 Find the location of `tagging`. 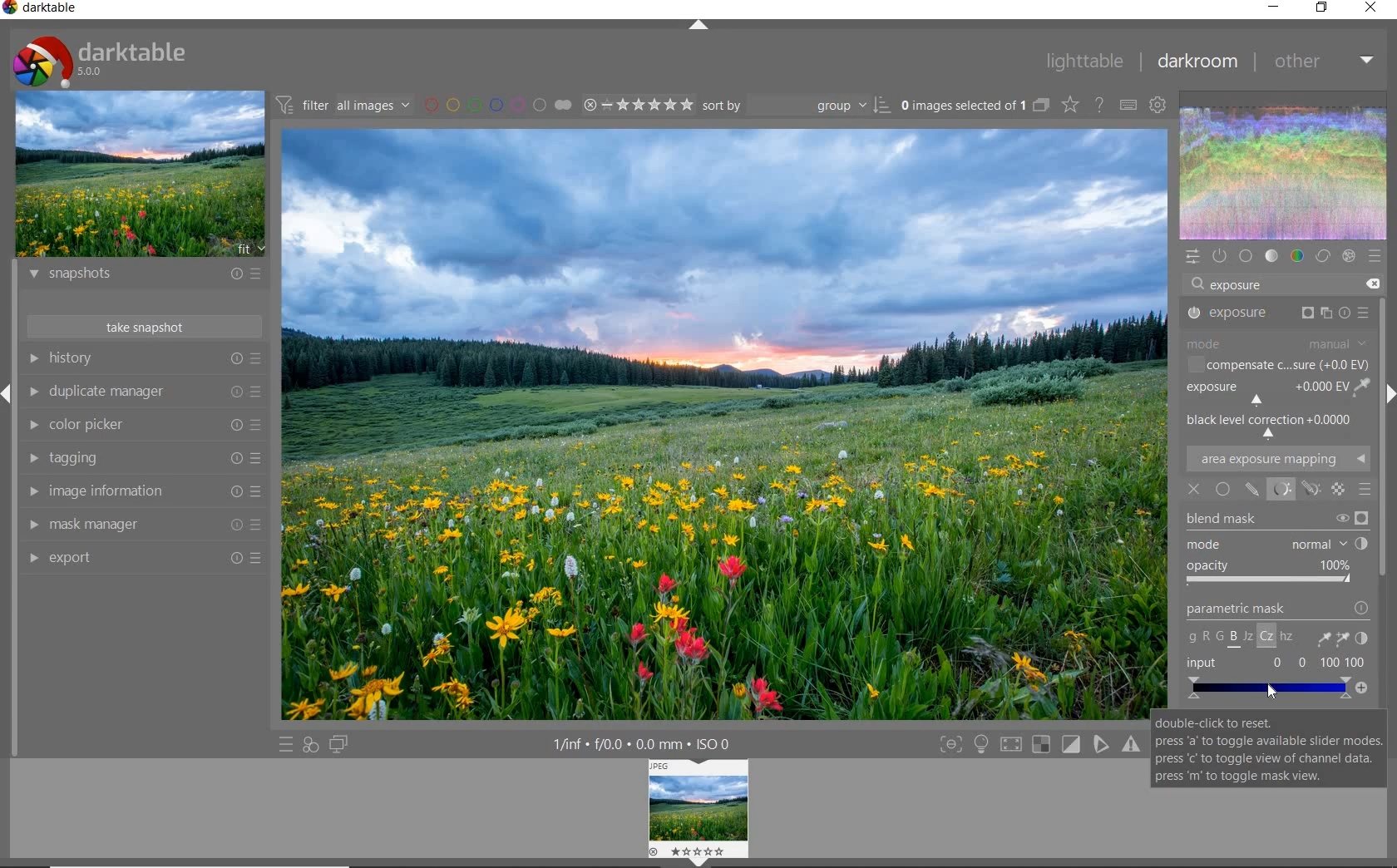

tagging is located at coordinates (141, 457).